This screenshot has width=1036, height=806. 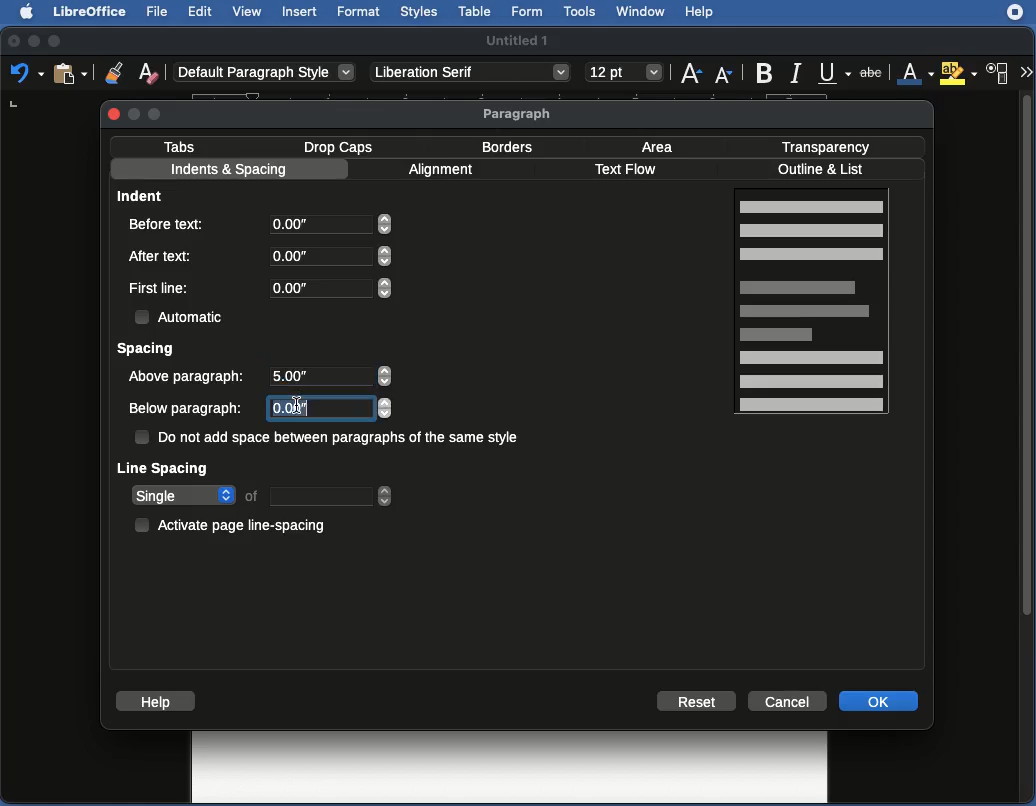 What do you see at coordinates (229, 171) in the screenshot?
I see `Indents and spacing` at bounding box center [229, 171].